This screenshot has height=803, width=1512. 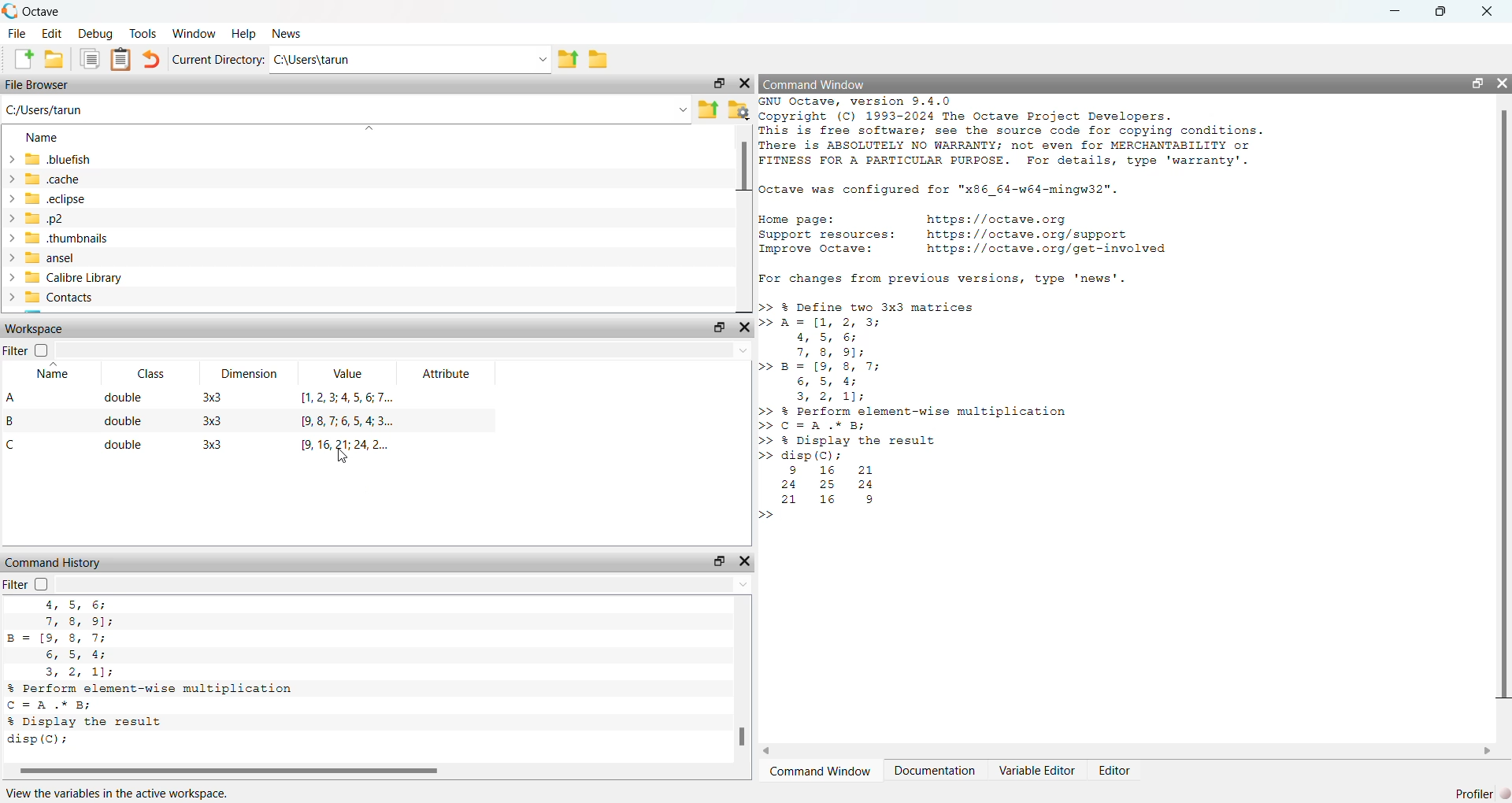 What do you see at coordinates (35, 327) in the screenshot?
I see `Workspace` at bounding box center [35, 327].